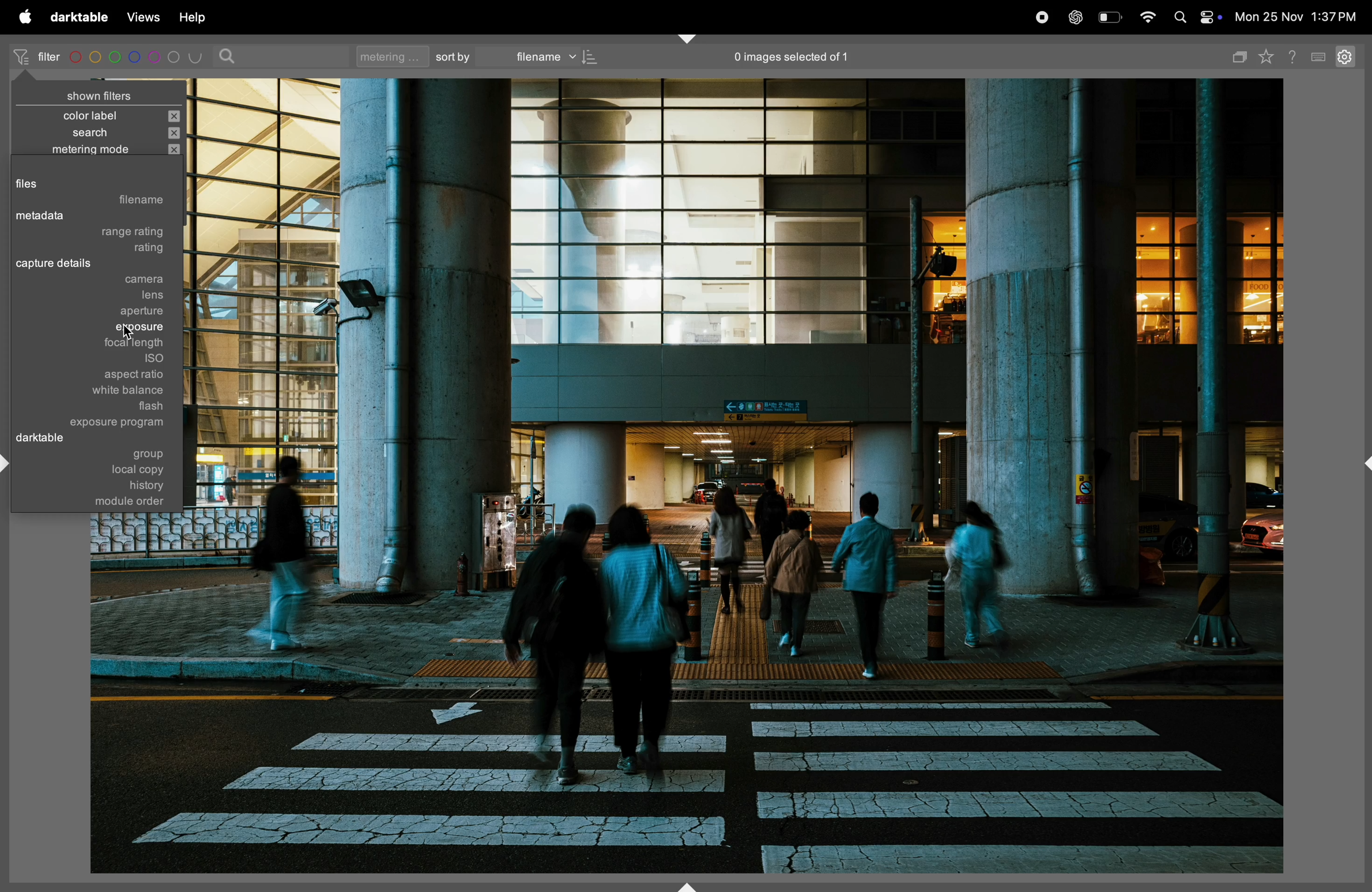 Image resolution: width=1372 pixels, height=892 pixels. Describe the element at coordinates (125, 486) in the screenshot. I see `history` at that location.